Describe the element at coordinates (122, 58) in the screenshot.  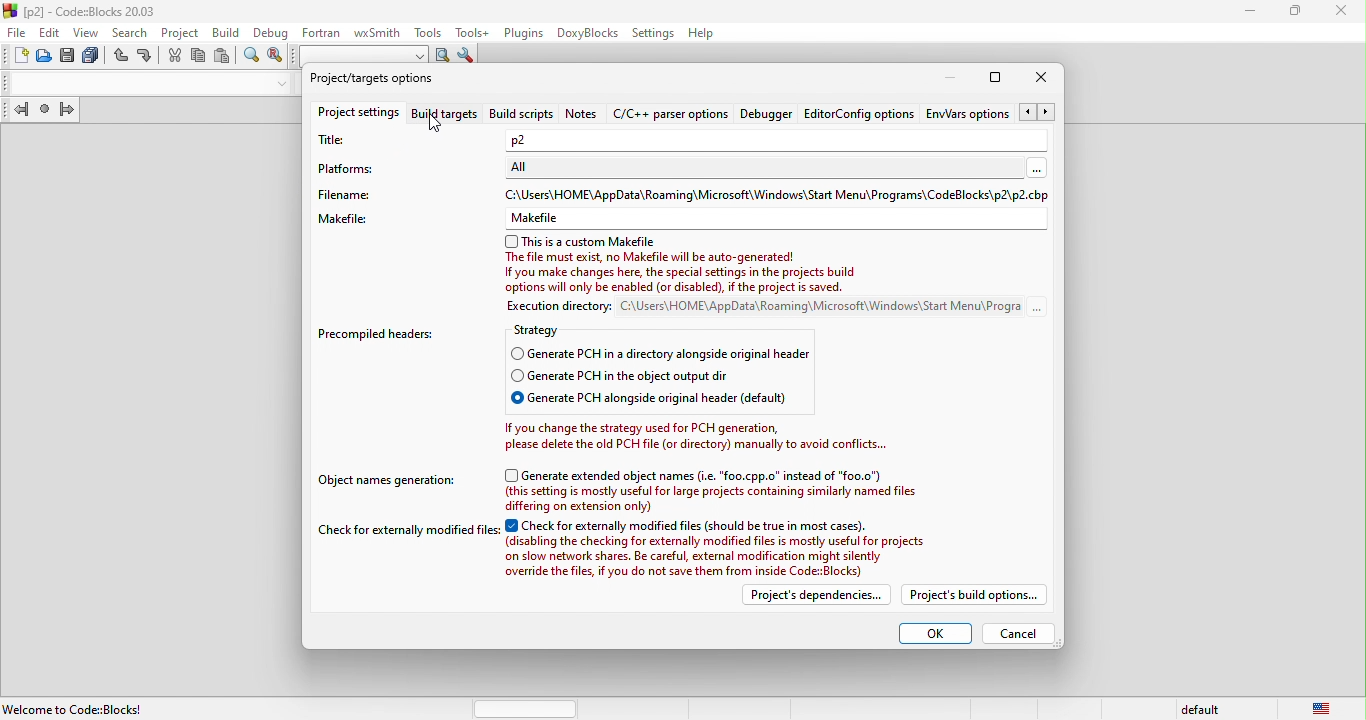
I see `undo` at that location.